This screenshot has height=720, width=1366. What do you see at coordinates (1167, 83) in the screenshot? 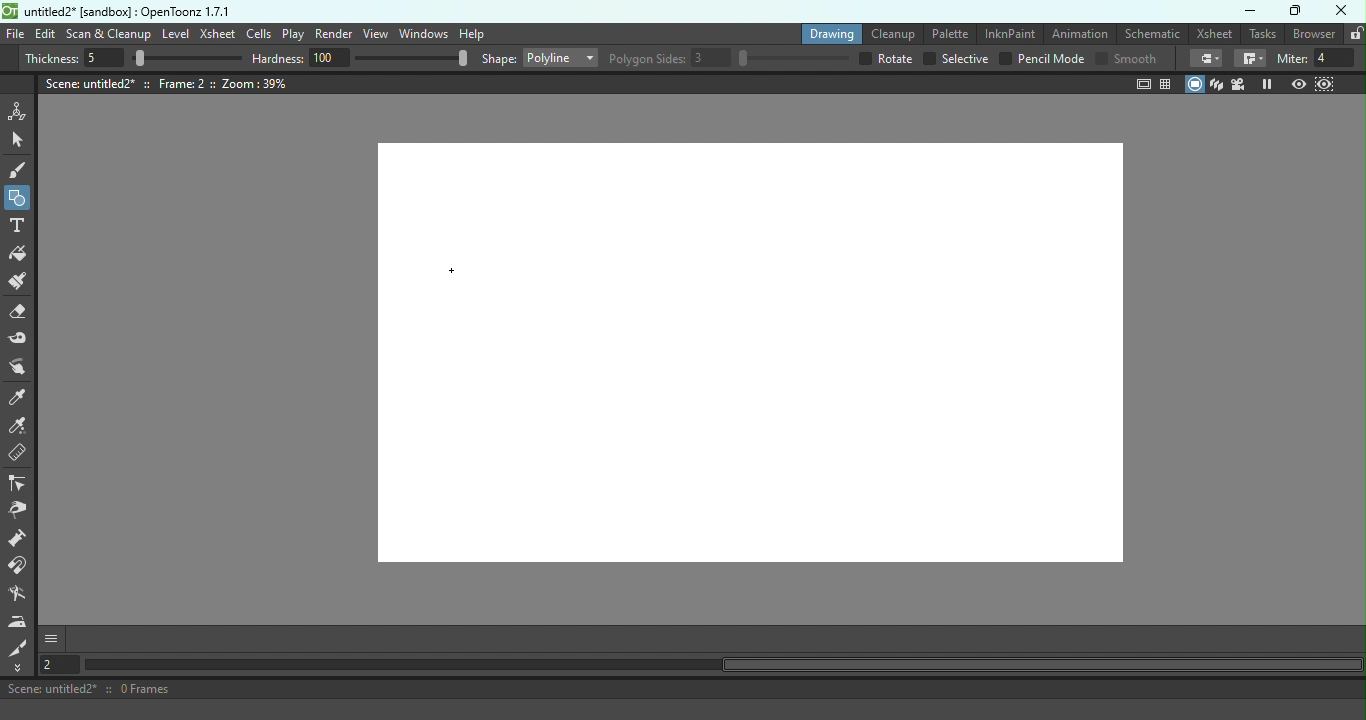
I see `Field guide` at bounding box center [1167, 83].